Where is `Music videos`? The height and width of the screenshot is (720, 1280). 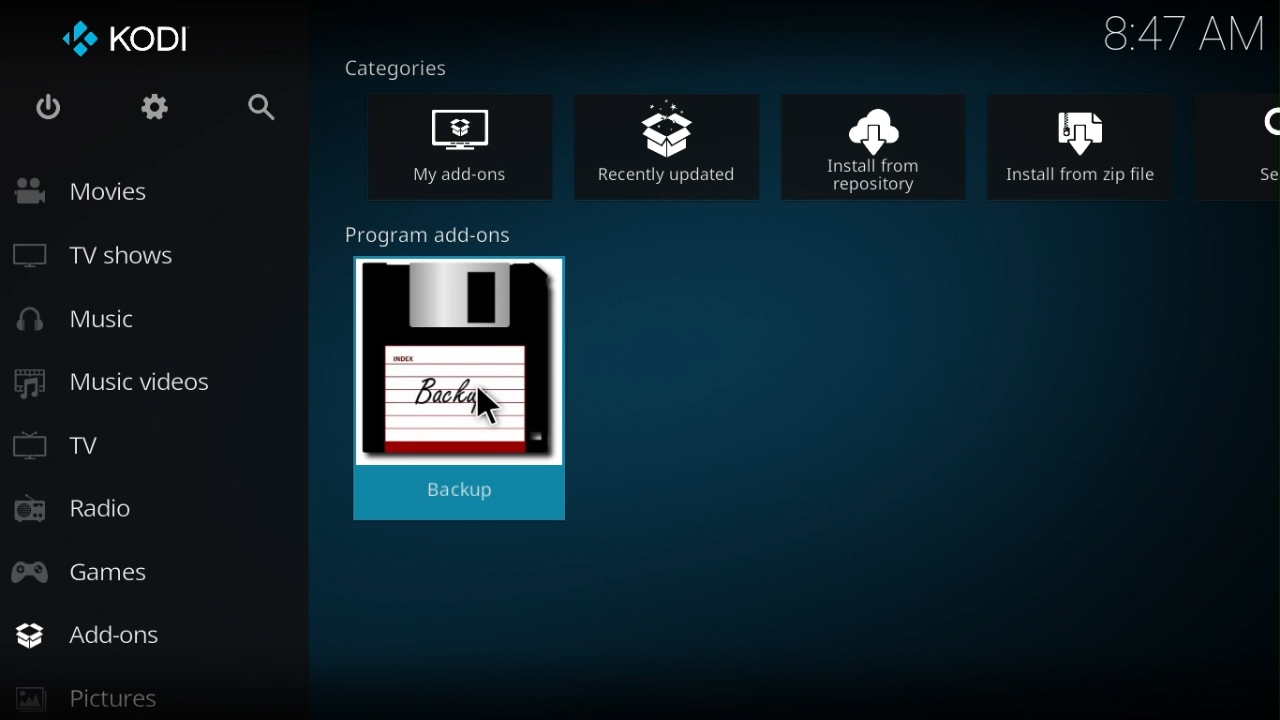 Music videos is located at coordinates (119, 384).